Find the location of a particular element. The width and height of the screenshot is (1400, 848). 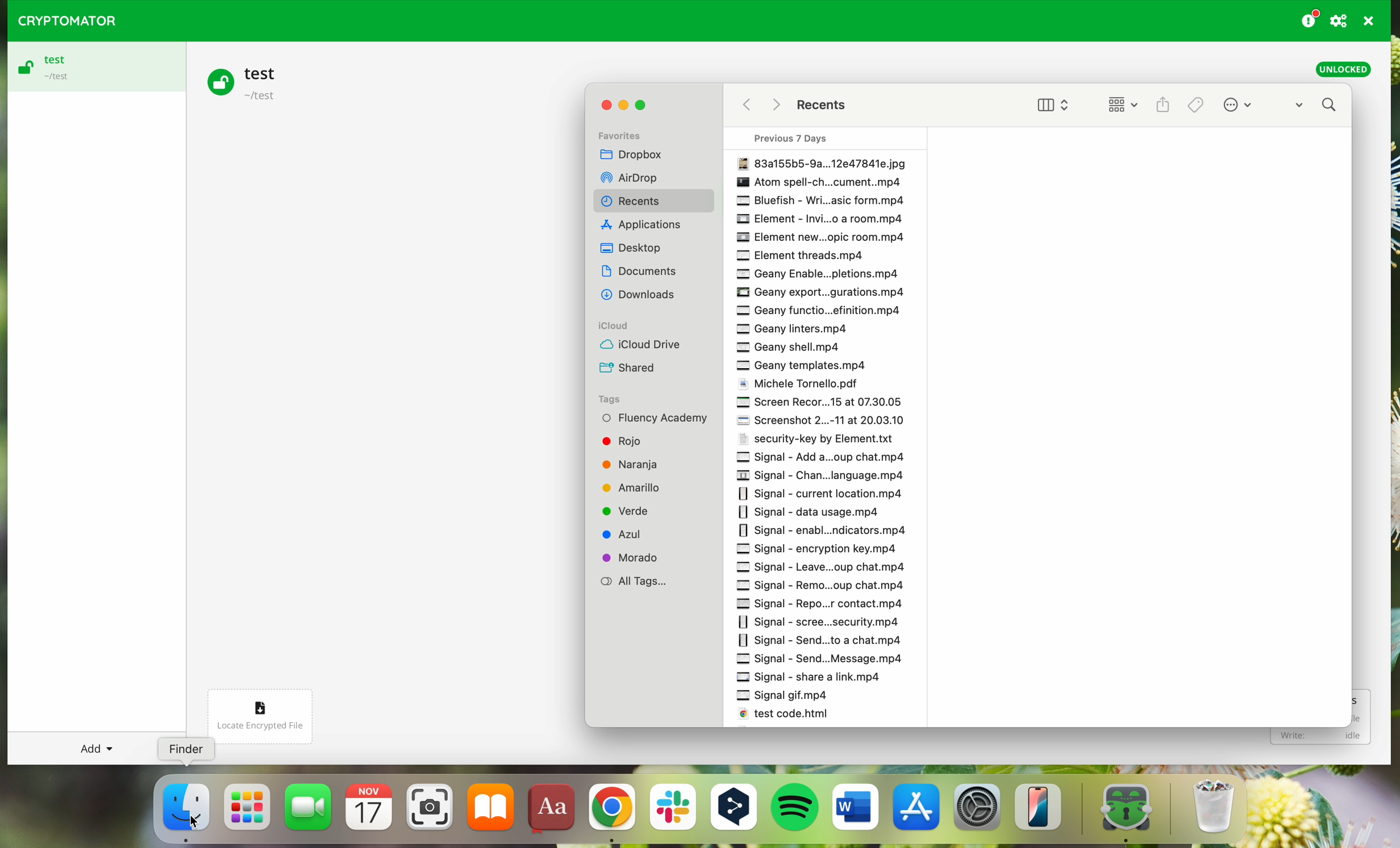

change item grouping is located at coordinates (1120, 100).